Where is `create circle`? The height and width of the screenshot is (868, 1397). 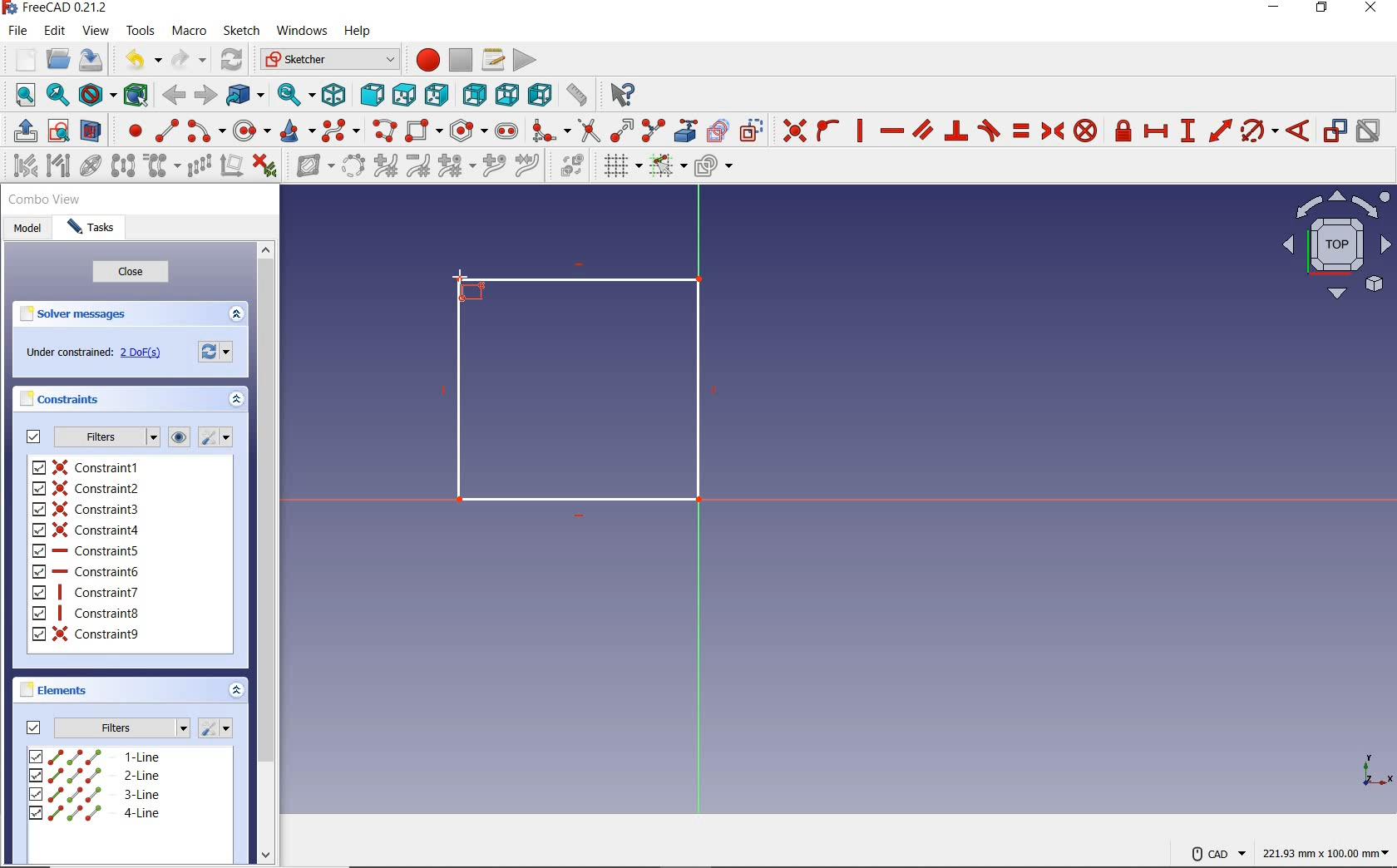
create circle is located at coordinates (251, 132).